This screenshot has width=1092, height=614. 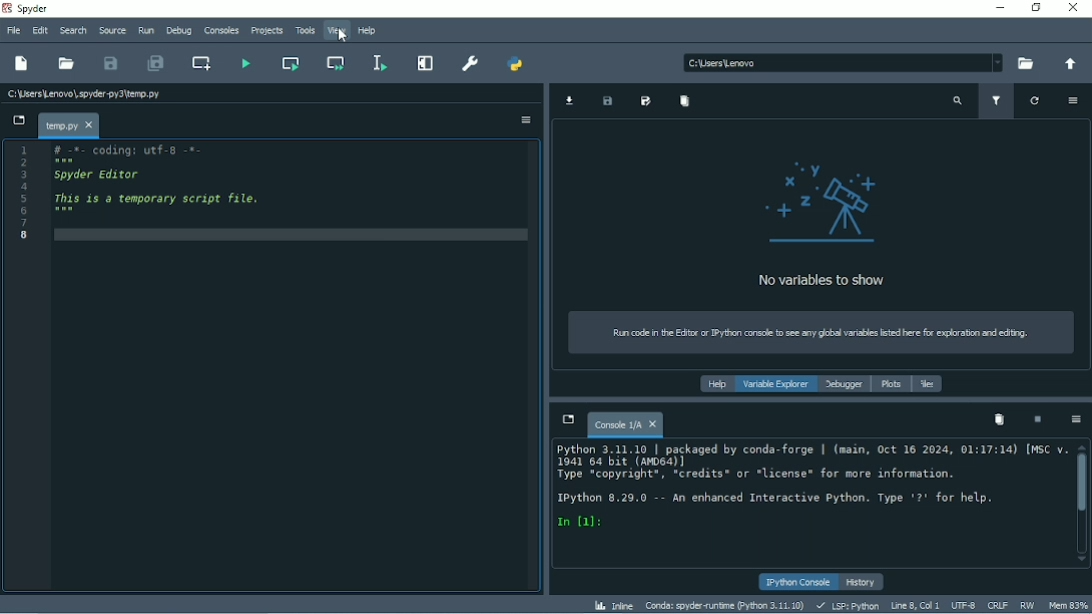 I want to click on Inline, so click(x=614, y=605).